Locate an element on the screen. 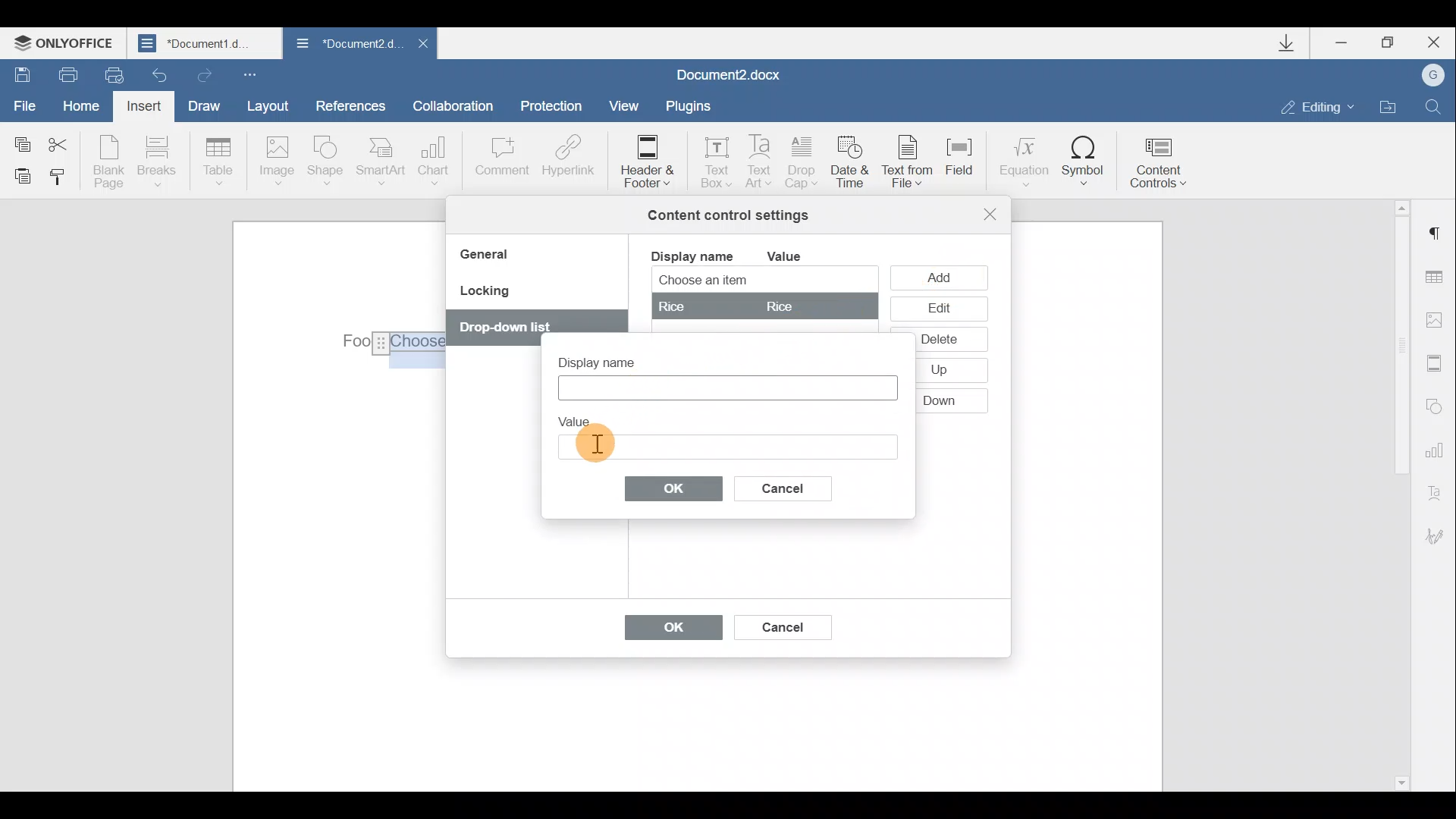 The width and height of the screenshot is (1456, 819). View is located at coordinates (625, 105).